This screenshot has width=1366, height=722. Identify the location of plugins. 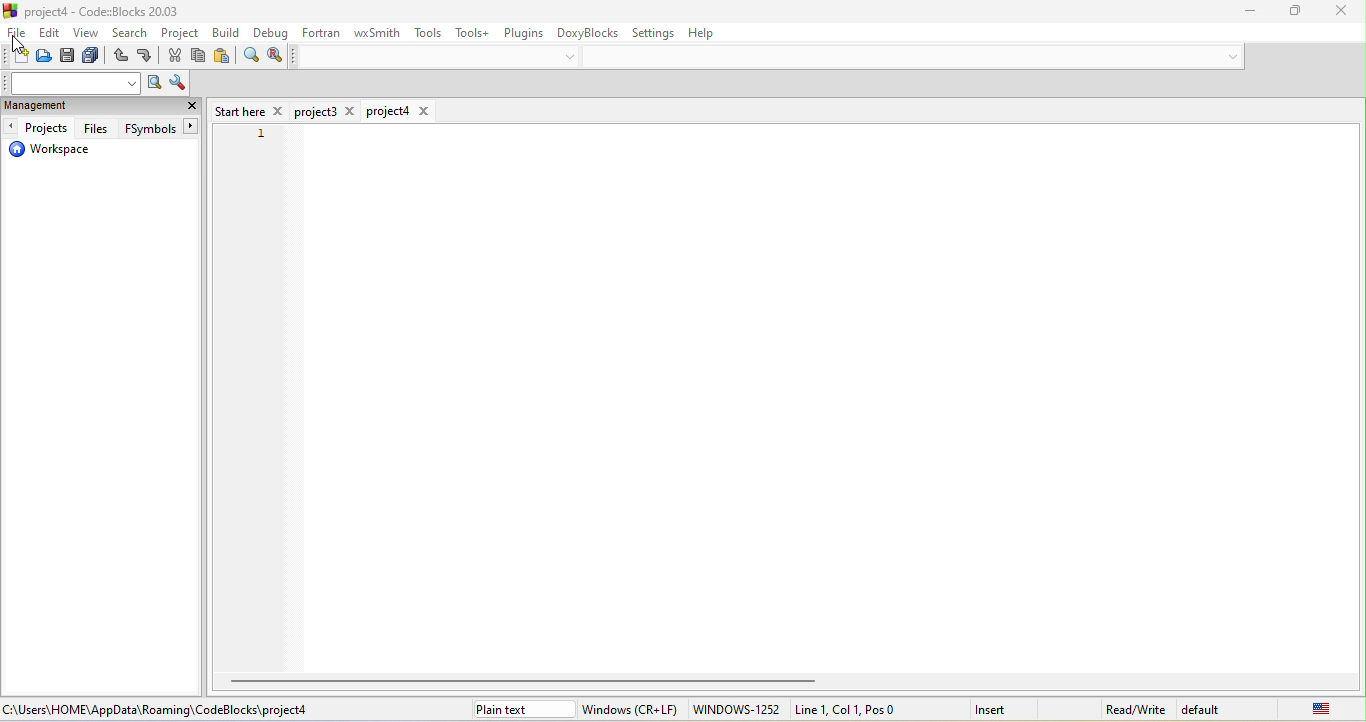
(524, 32).